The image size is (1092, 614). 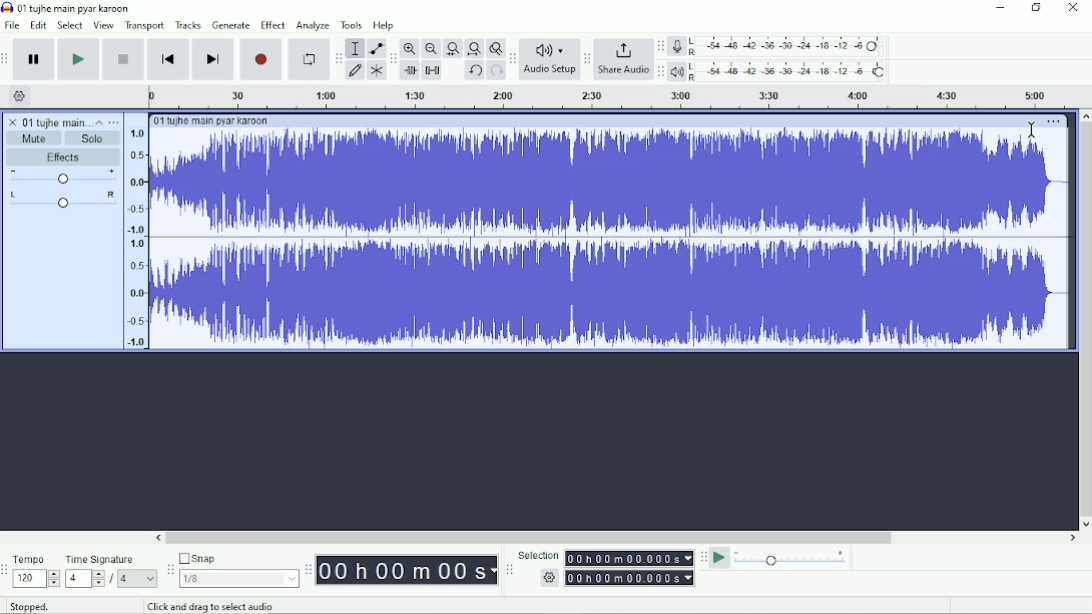 What do you see at coordinates (355, 48) in the screenshot?
I see `Selection tool` at bounding box center [355, 48].